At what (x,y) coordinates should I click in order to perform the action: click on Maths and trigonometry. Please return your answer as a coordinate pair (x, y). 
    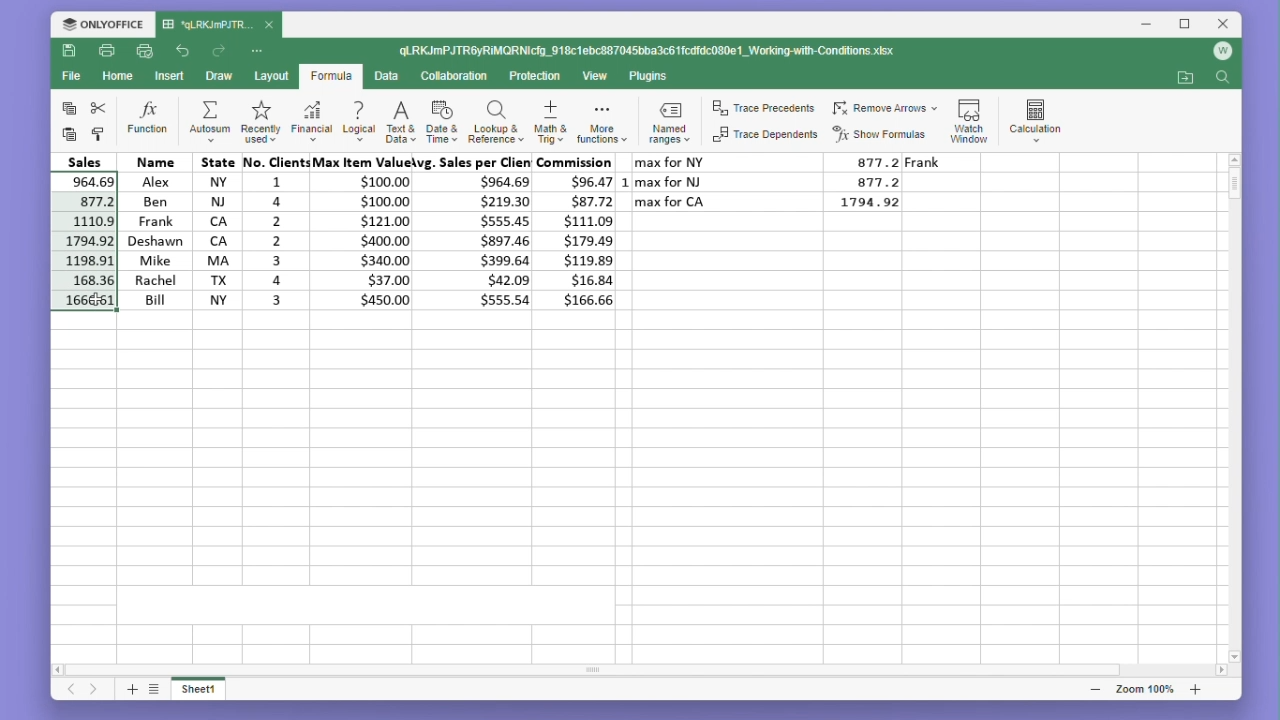
    Looking at the image, I should click on (551, 119).